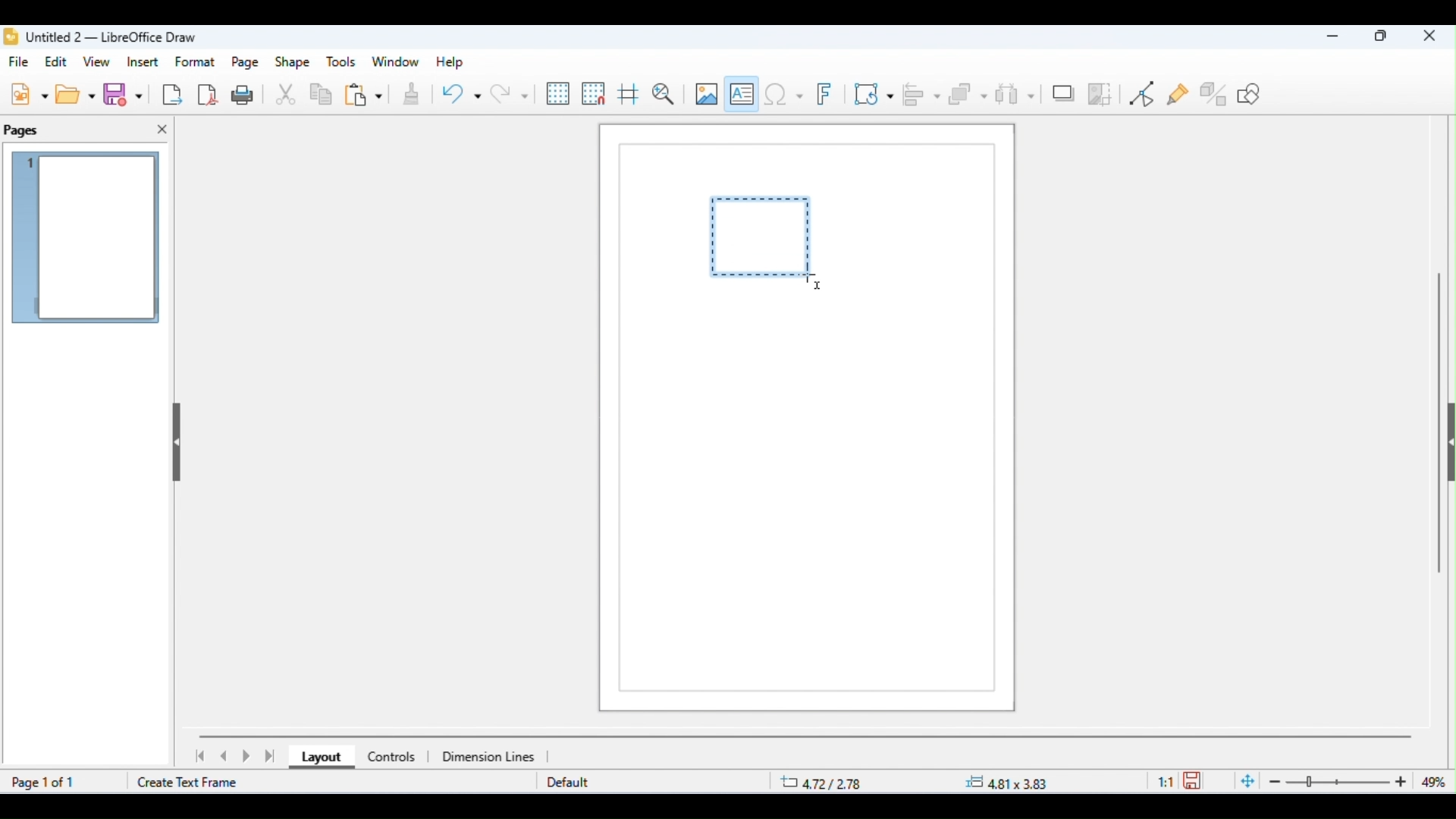 This screenshot has width=1456, height=819. I want to click on pages, so click(23, 131).